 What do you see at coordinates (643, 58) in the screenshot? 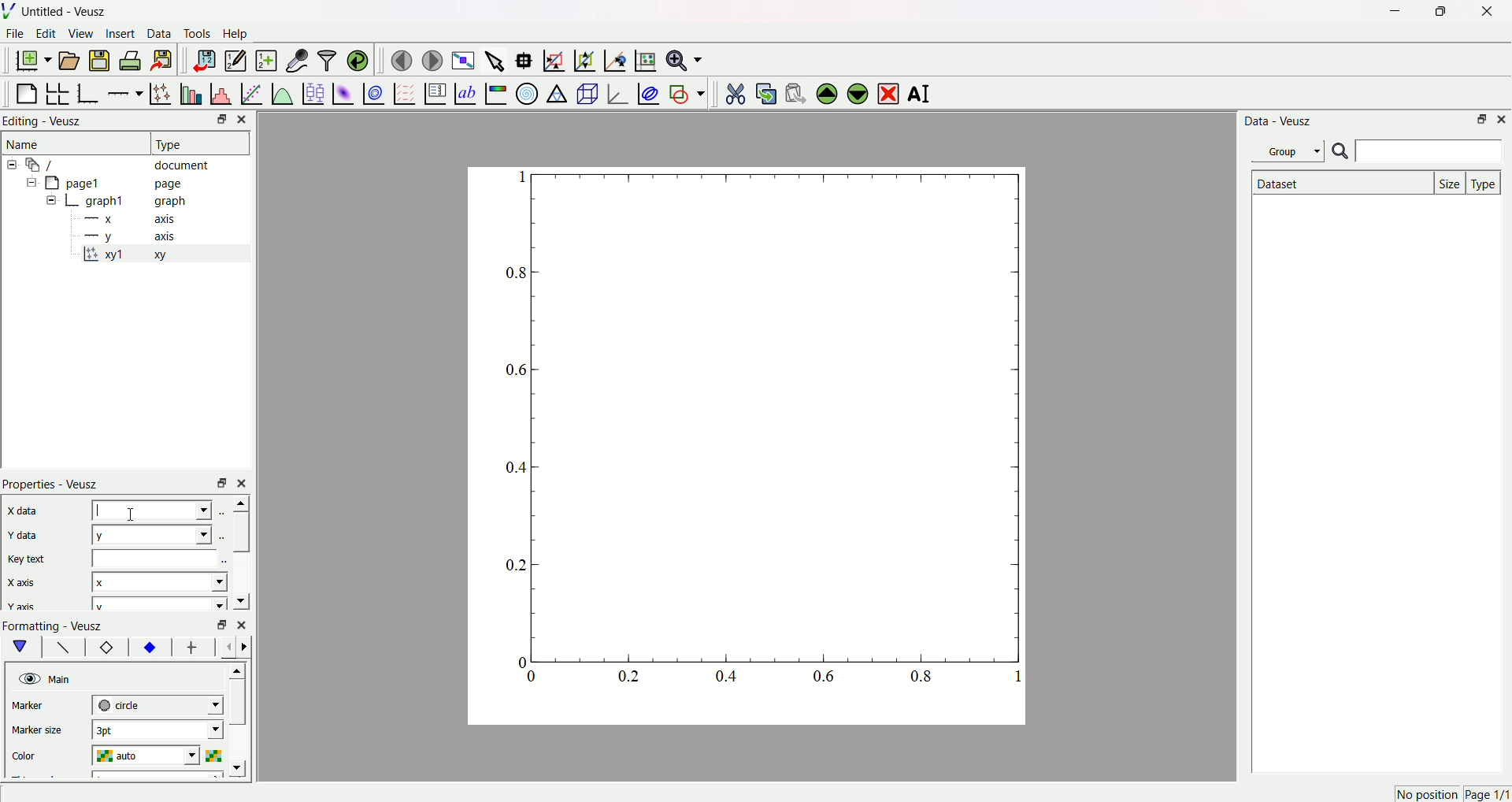
I see `reset the graph axes` at bounding box center [643, 58].